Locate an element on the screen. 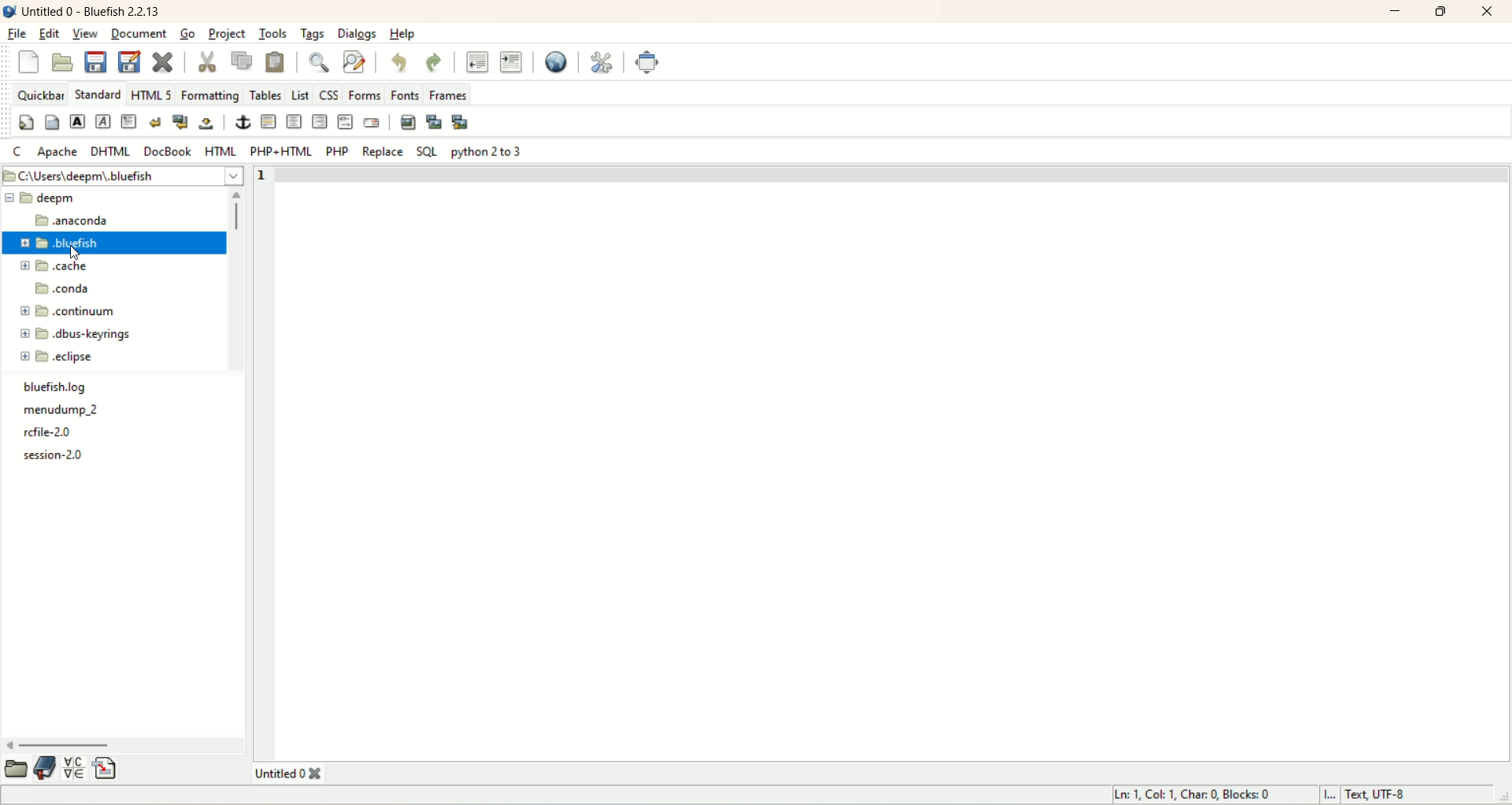 Image resolution: width=1512 pixels, height=805 pixels. forms is located at coordinates (364, 96).